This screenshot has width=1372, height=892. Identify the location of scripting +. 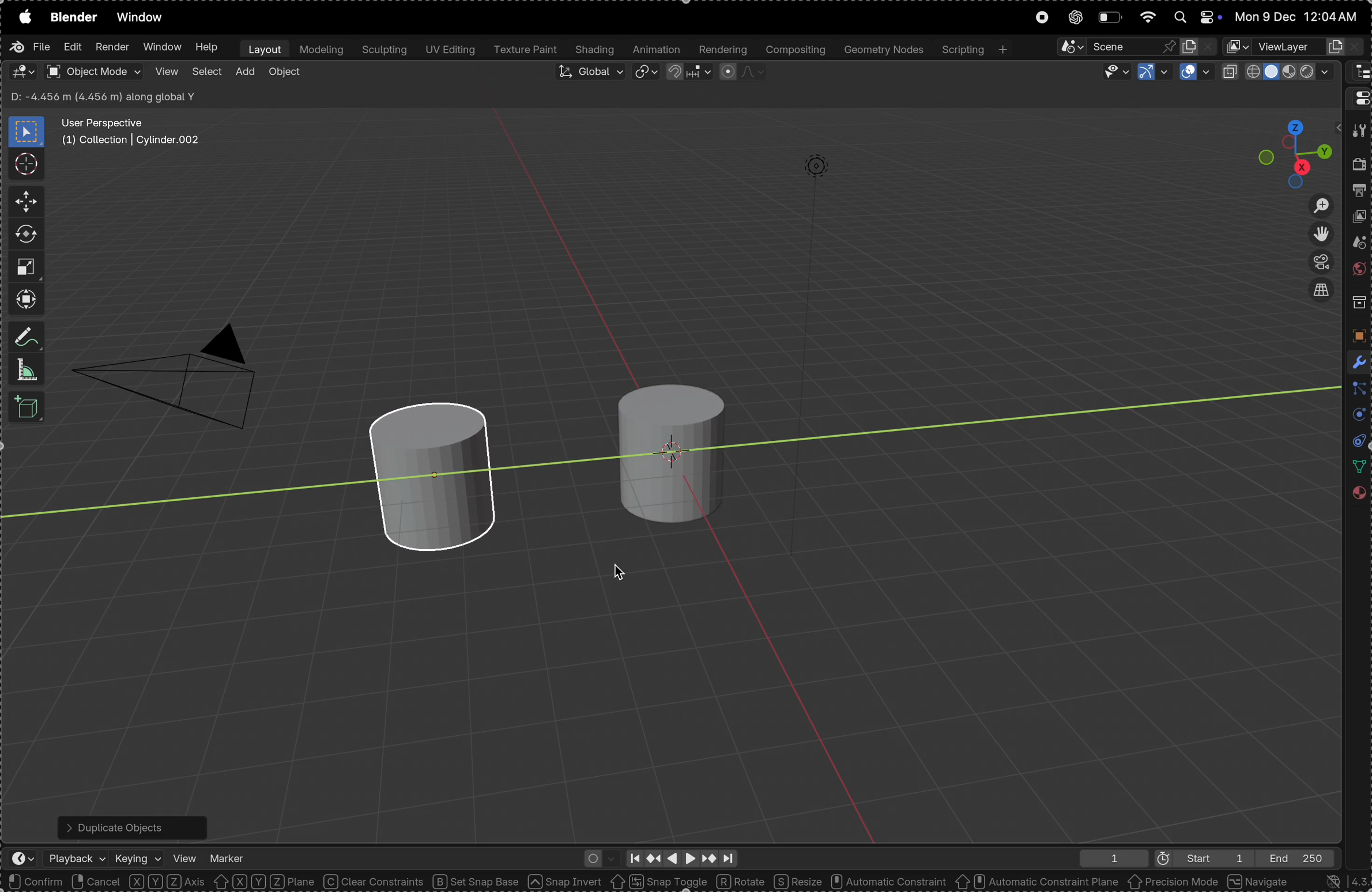
(974, 48).